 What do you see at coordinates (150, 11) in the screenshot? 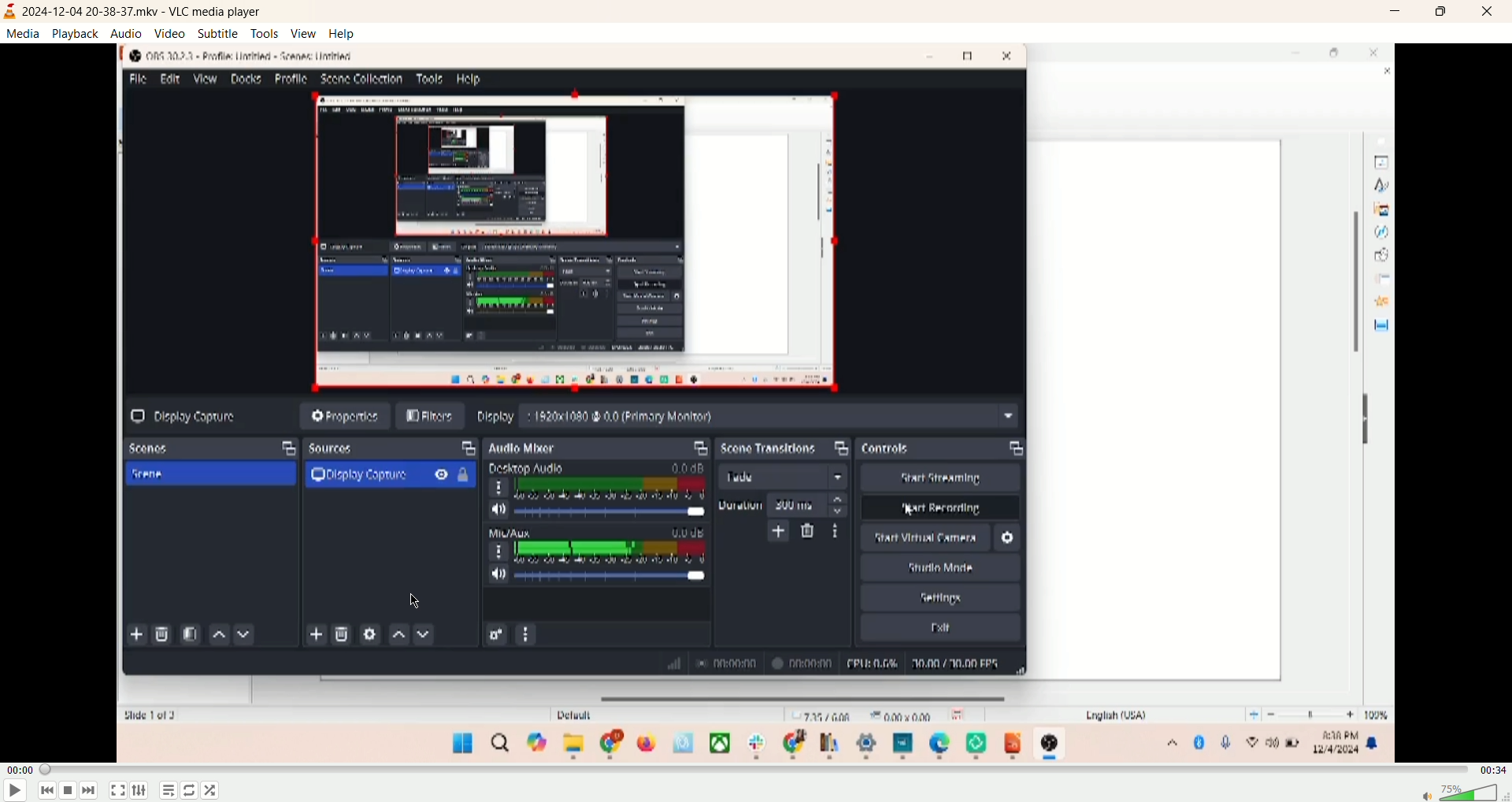
I see `2024-12-04 20-38-37.mkv - VLC media player` at bounding box center [150, 11].